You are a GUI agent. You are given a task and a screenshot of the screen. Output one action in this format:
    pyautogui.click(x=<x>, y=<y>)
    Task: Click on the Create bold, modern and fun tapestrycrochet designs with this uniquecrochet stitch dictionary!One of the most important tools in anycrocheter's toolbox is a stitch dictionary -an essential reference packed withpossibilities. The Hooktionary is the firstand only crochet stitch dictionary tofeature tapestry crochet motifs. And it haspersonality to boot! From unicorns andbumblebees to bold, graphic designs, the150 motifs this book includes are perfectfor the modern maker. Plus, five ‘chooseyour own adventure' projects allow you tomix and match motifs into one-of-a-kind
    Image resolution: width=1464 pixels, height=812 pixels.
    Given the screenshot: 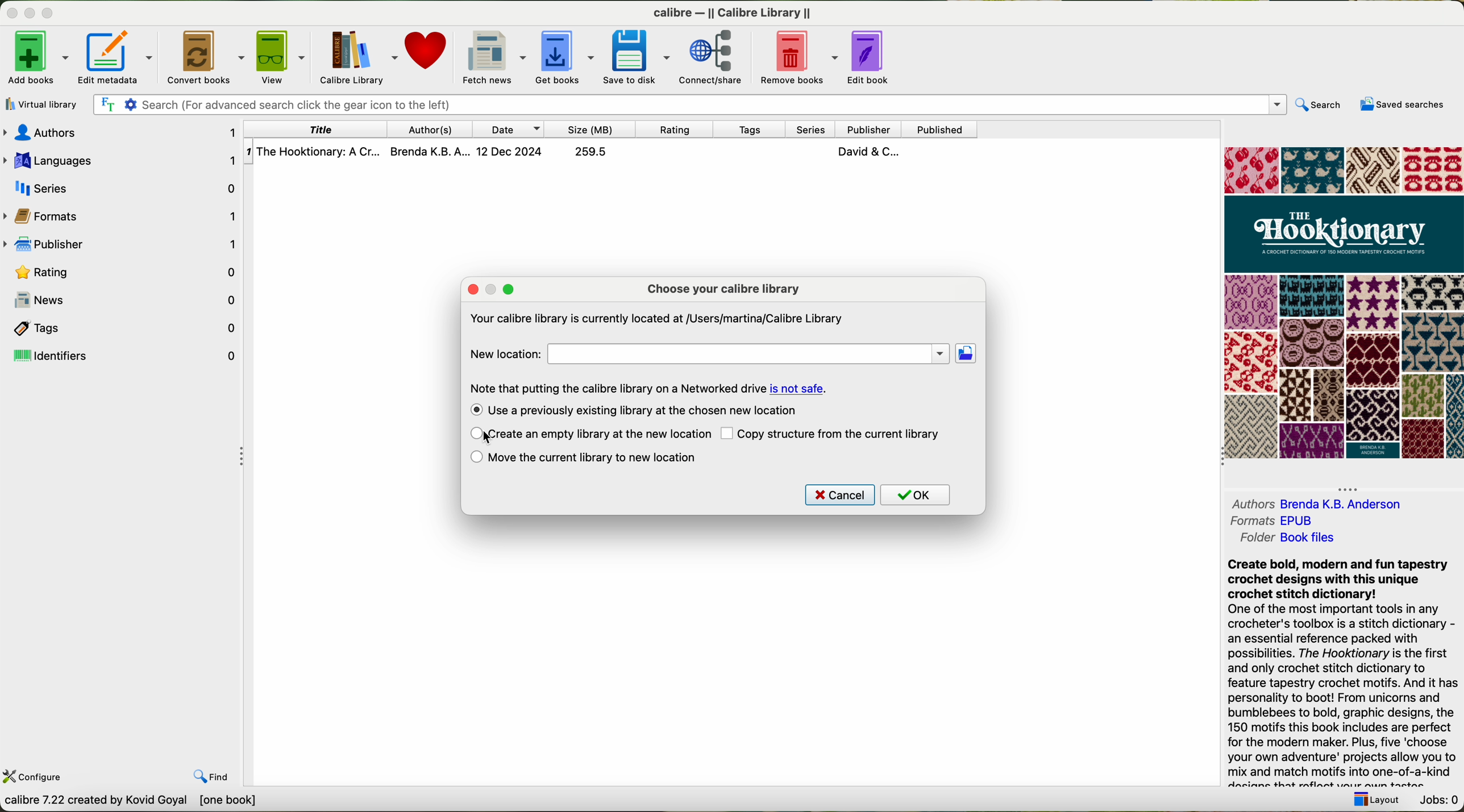 What is the action you would take?
    pyautogui.click(x=1336, y=672)
    